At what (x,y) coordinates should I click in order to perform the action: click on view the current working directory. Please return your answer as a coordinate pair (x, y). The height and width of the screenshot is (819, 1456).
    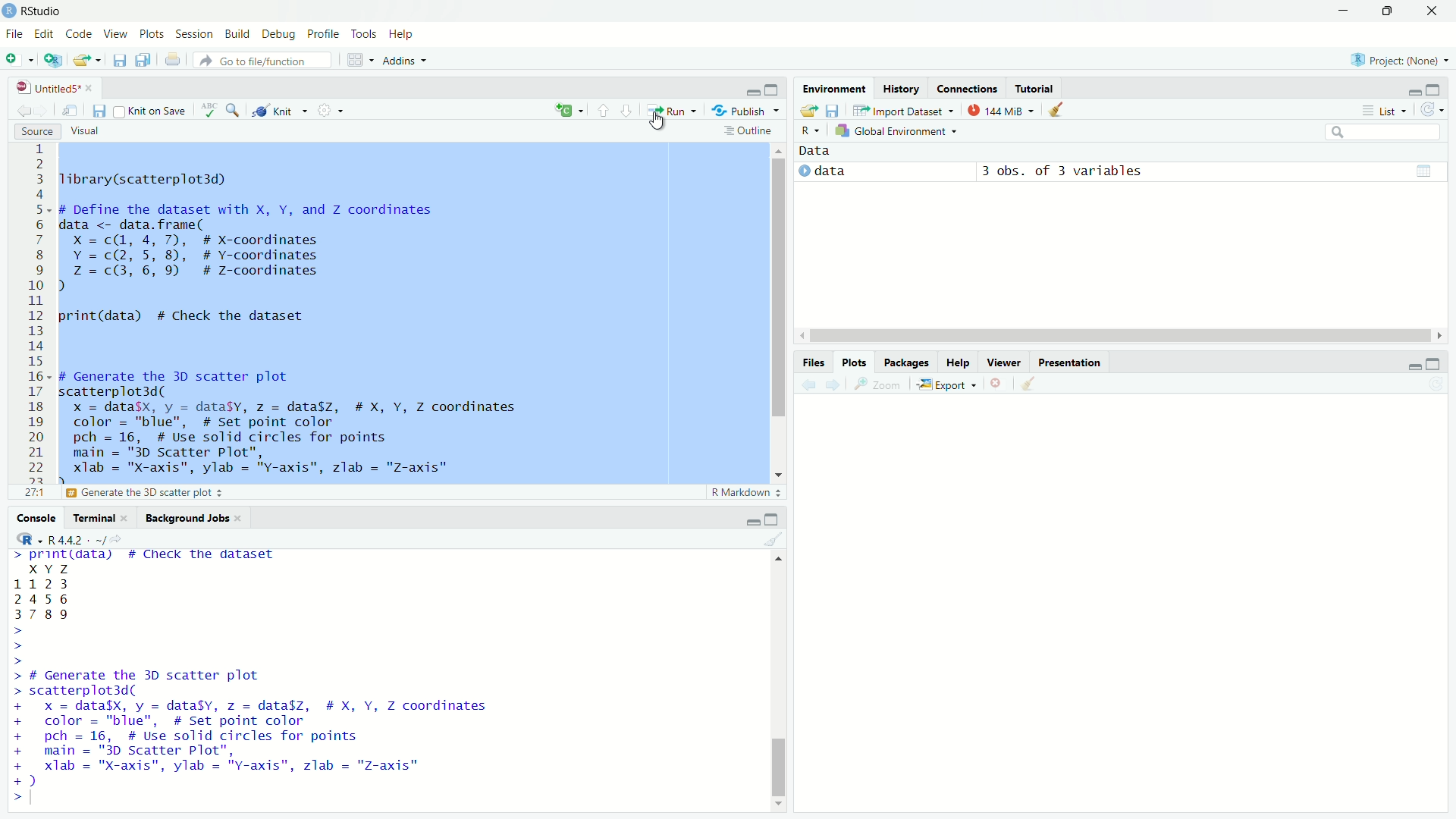
    Looking at the image, I should click on (126, 539).